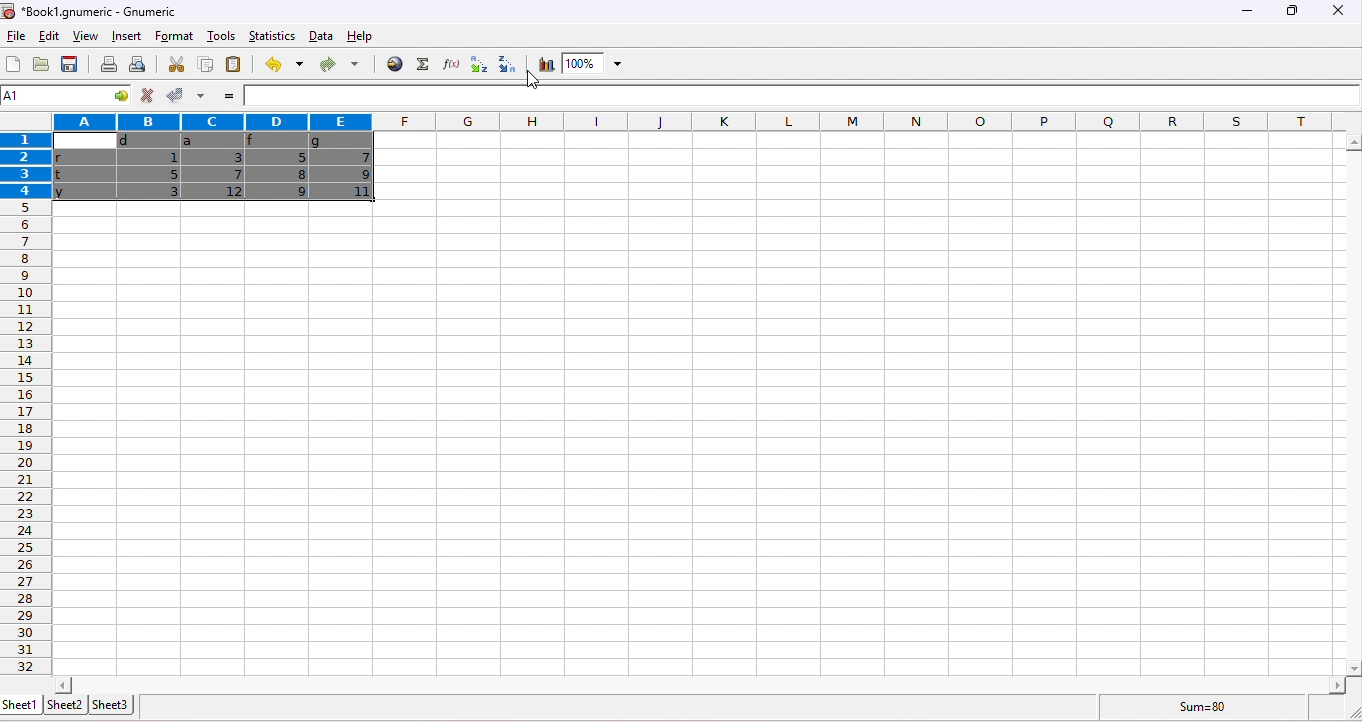 This screenshot has width=1362, height=722. What do you see at coordinates (449, 63) in the screenshot?
I see `function wizard` at bounding box center [449, 63].